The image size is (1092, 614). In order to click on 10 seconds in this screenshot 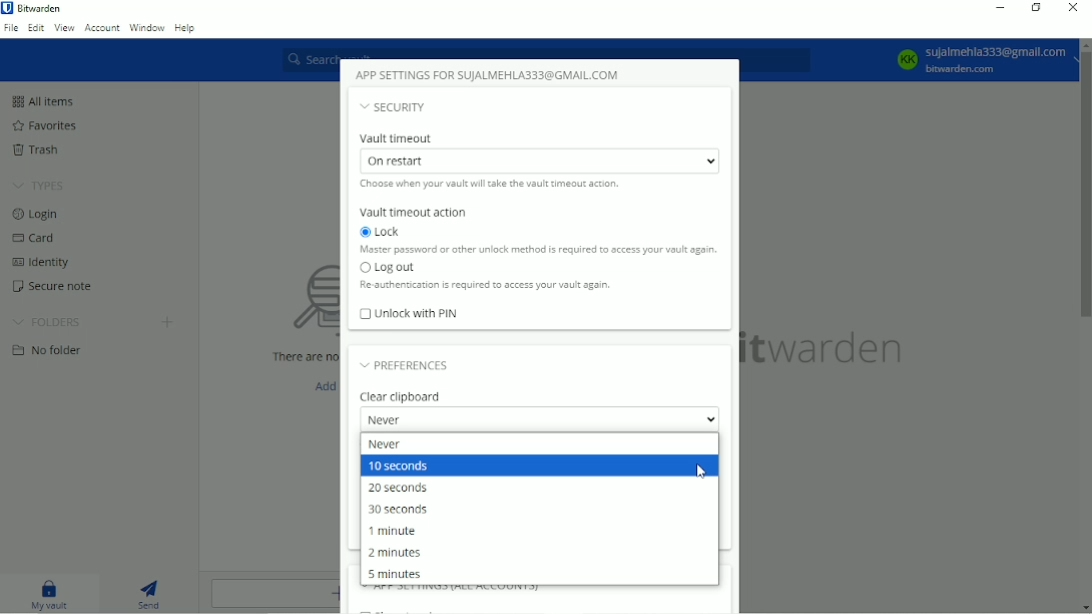, I will do `click(401, 466)`.